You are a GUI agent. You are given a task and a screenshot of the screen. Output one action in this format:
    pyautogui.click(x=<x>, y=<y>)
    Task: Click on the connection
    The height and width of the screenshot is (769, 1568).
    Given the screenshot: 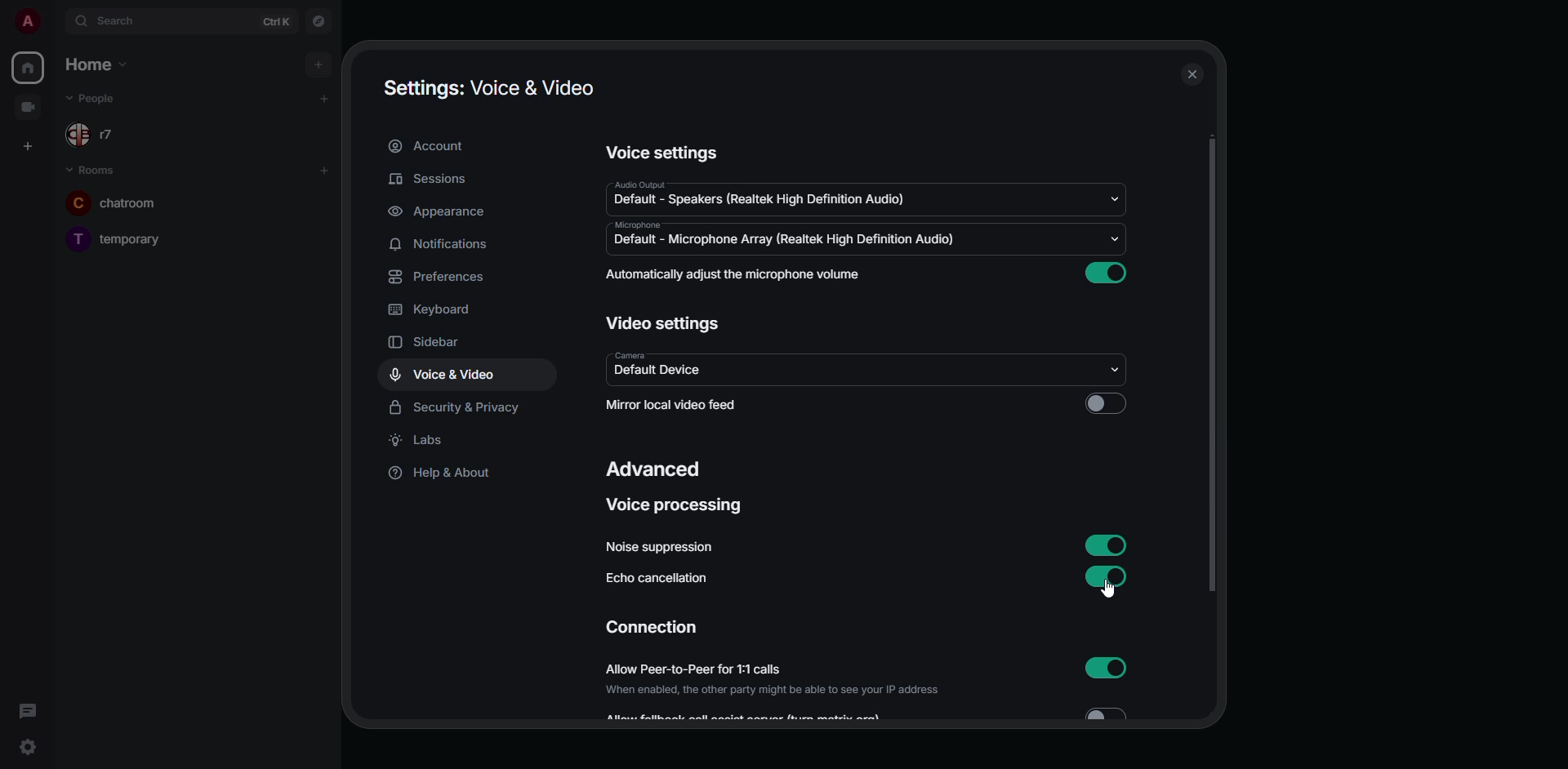 What is the action you would take?
    pyautogui.click(x=654, y=629)
    